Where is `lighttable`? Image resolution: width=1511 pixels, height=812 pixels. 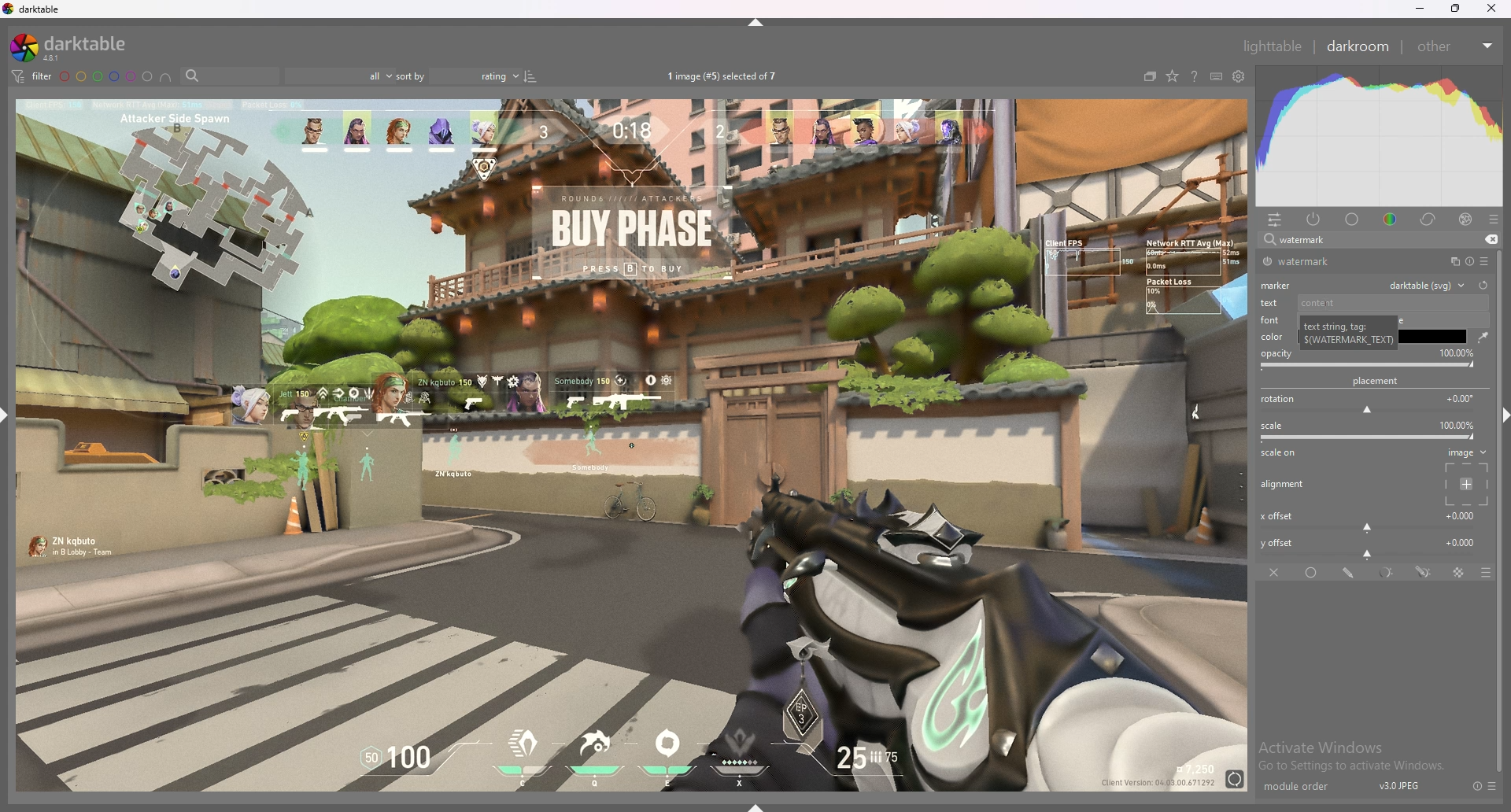 lighttable is located at coordinates (1272, 46).